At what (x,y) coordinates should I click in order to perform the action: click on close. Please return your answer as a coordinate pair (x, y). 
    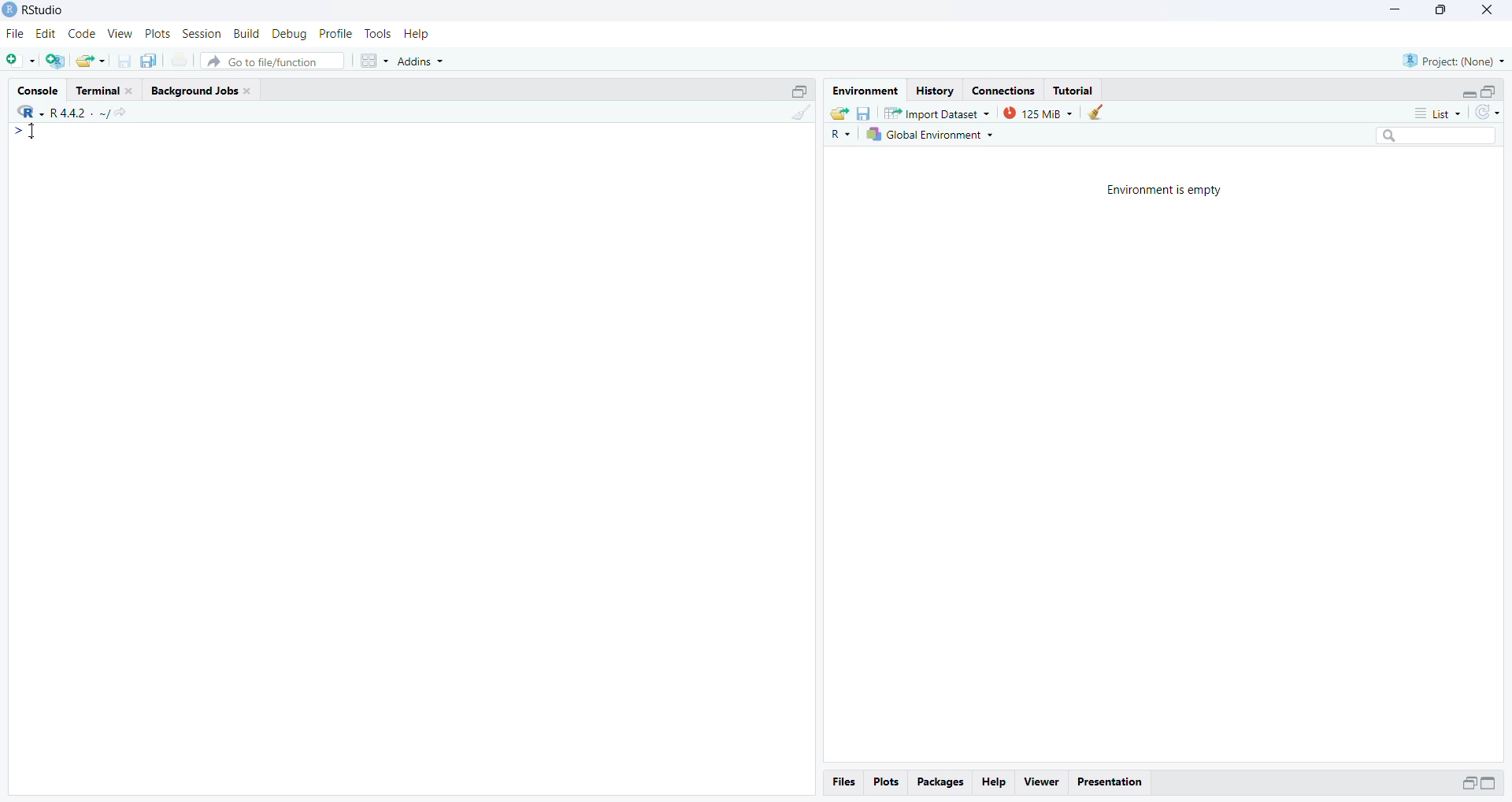
    Looking at the image, I should click on (1486, 12).